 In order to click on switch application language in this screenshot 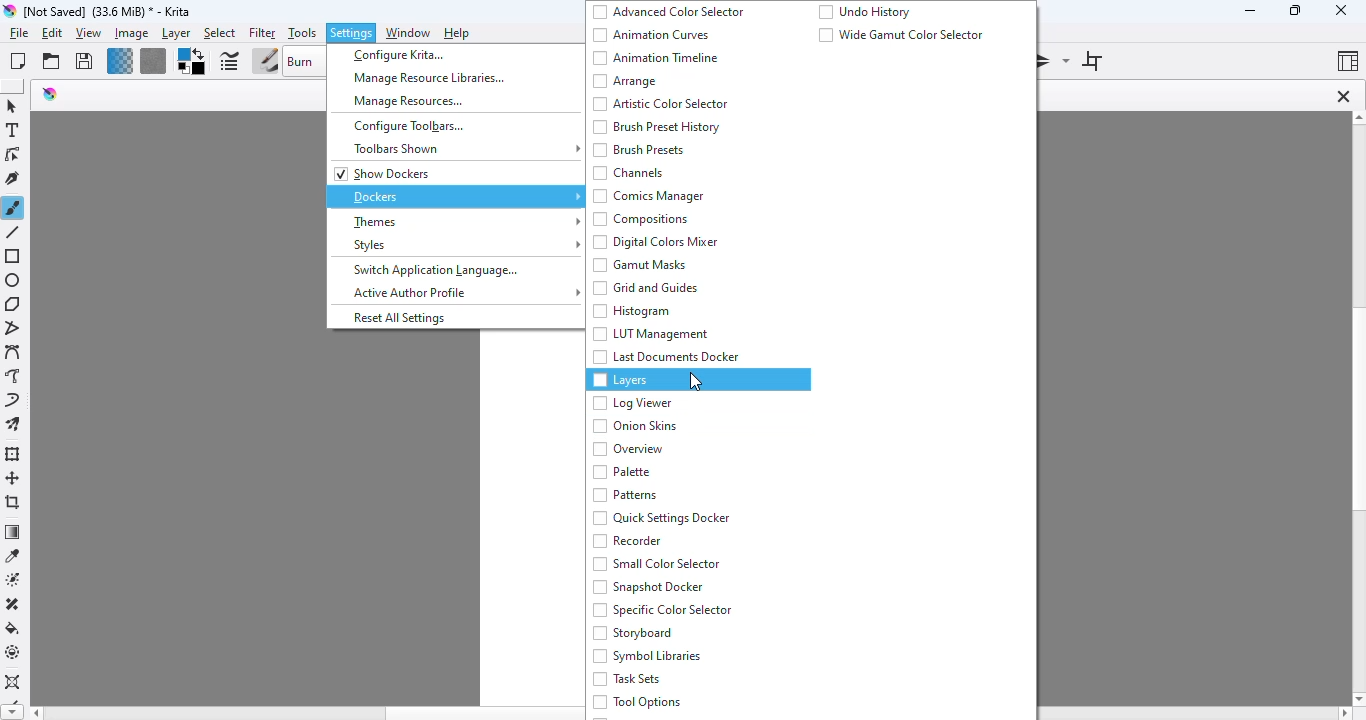, I will do `click(434, 270)`.